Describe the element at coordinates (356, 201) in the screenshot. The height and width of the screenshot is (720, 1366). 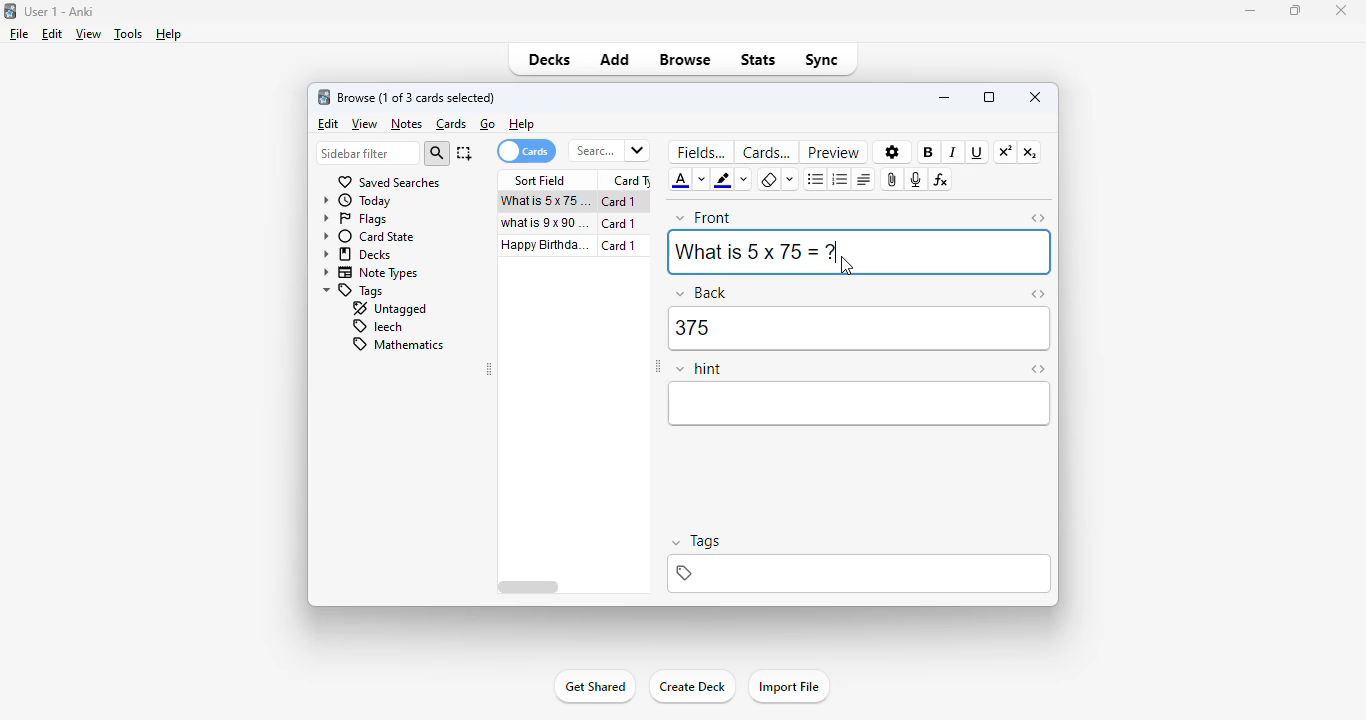
I see `today` at that location.